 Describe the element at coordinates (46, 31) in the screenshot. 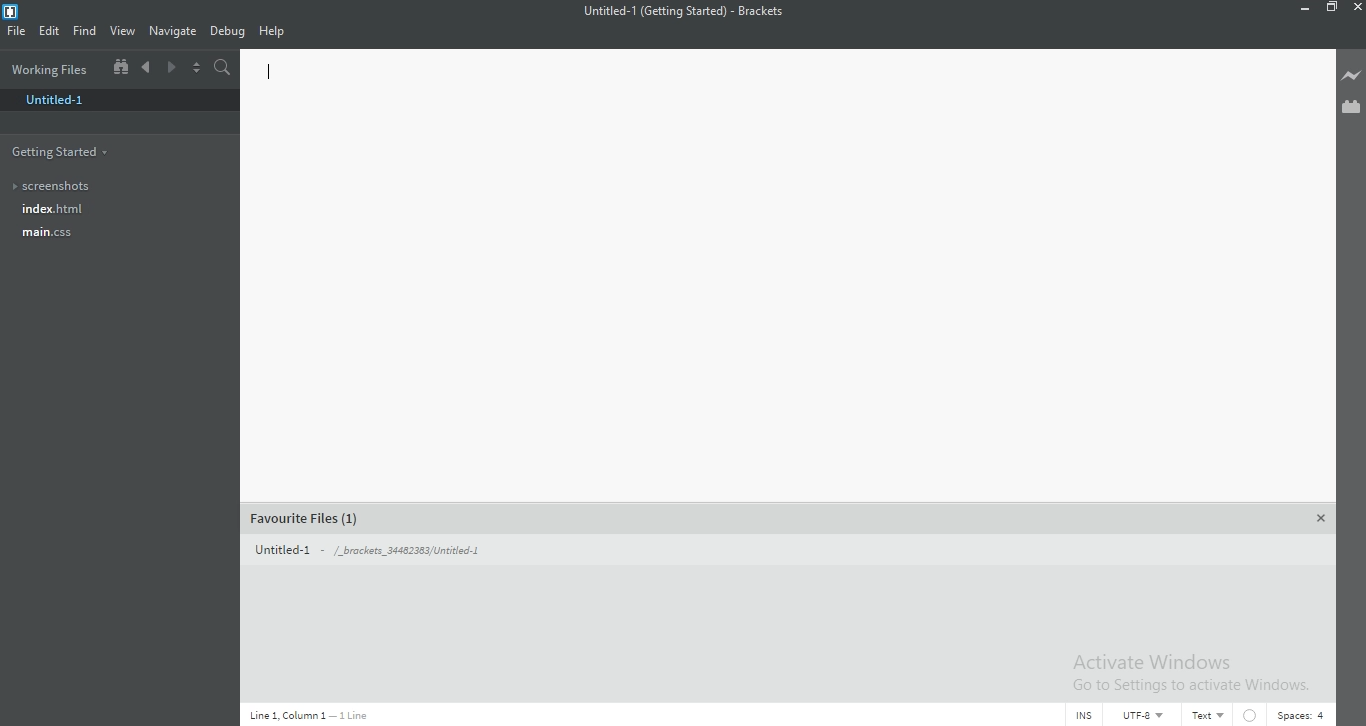

I see `Edit` at that location.